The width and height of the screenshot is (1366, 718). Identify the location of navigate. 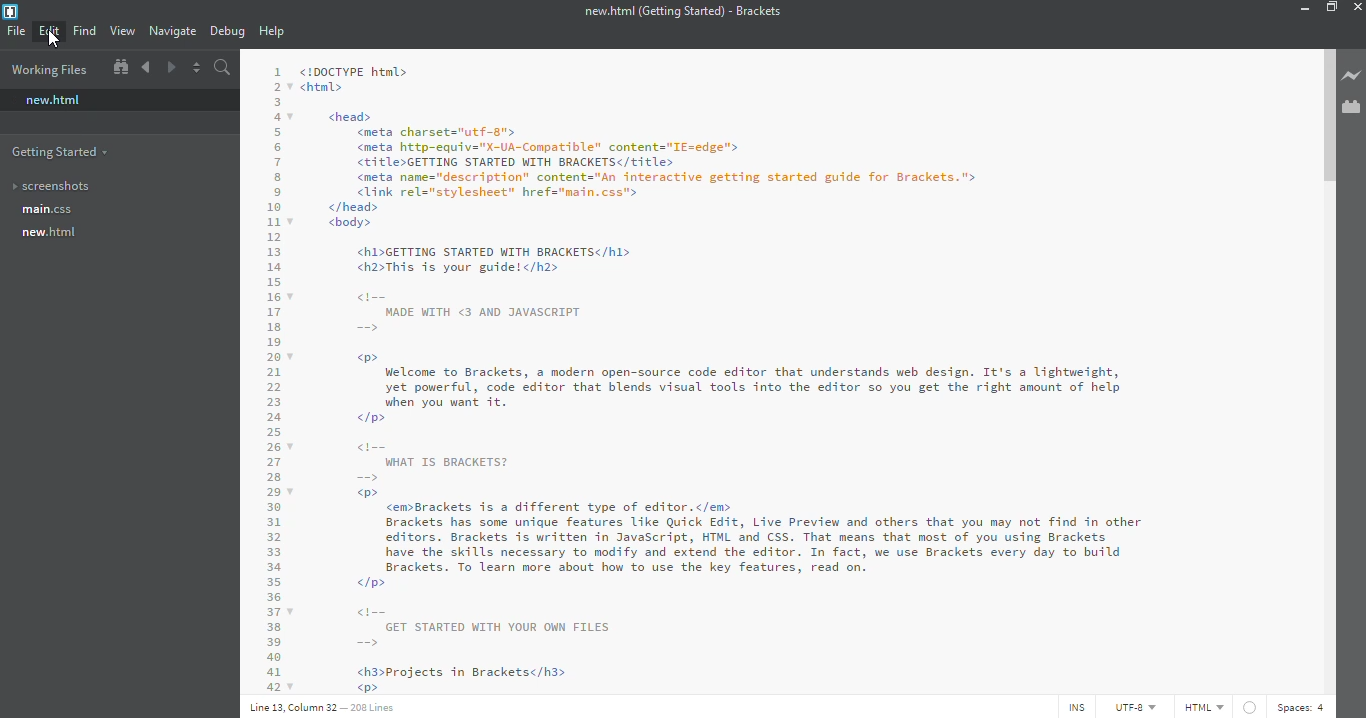
(174, 31).